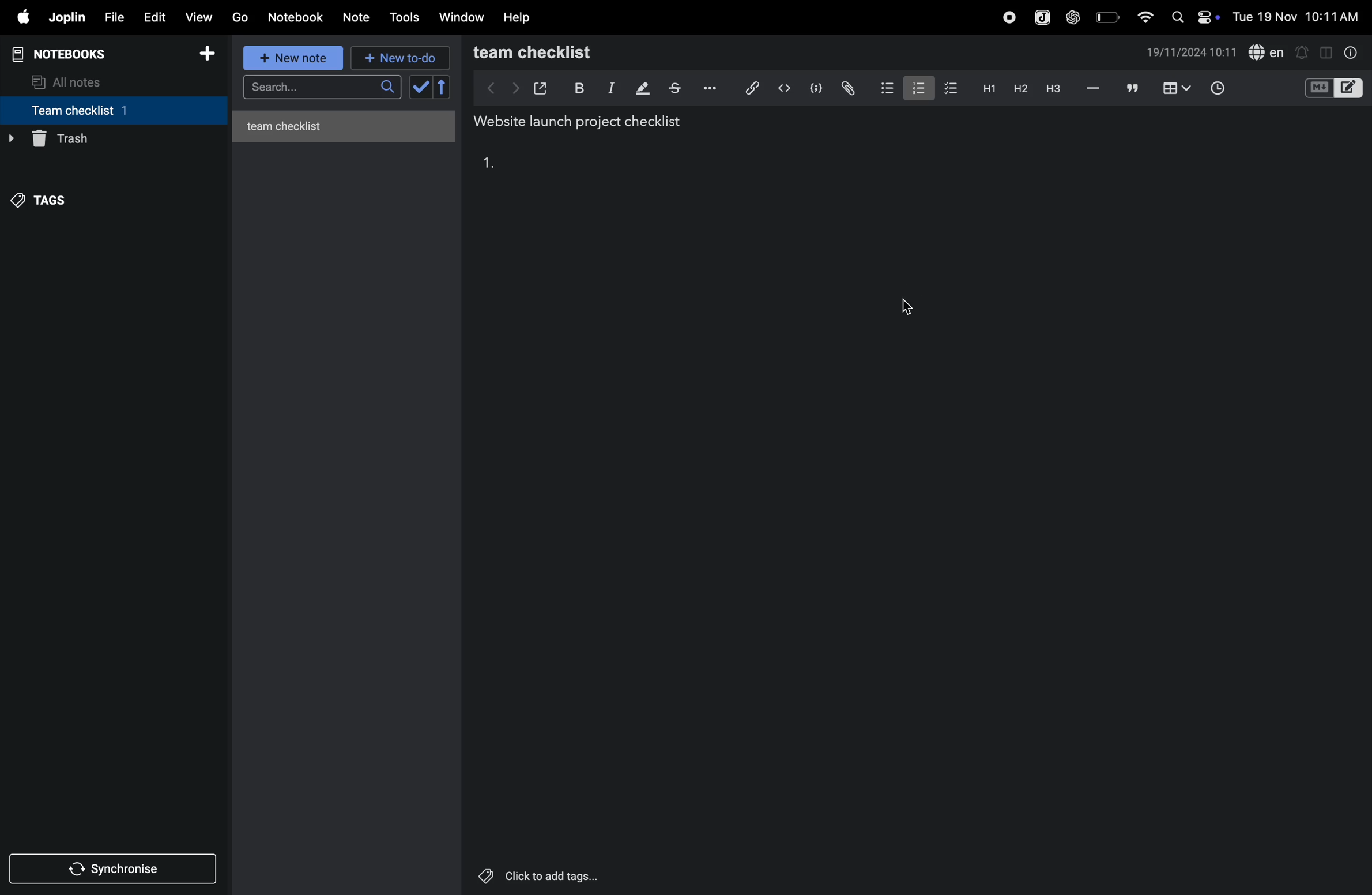 Image resolution: width=1372 pixels, height=895 pixels. I want to click on attach file, so click(847, 88).